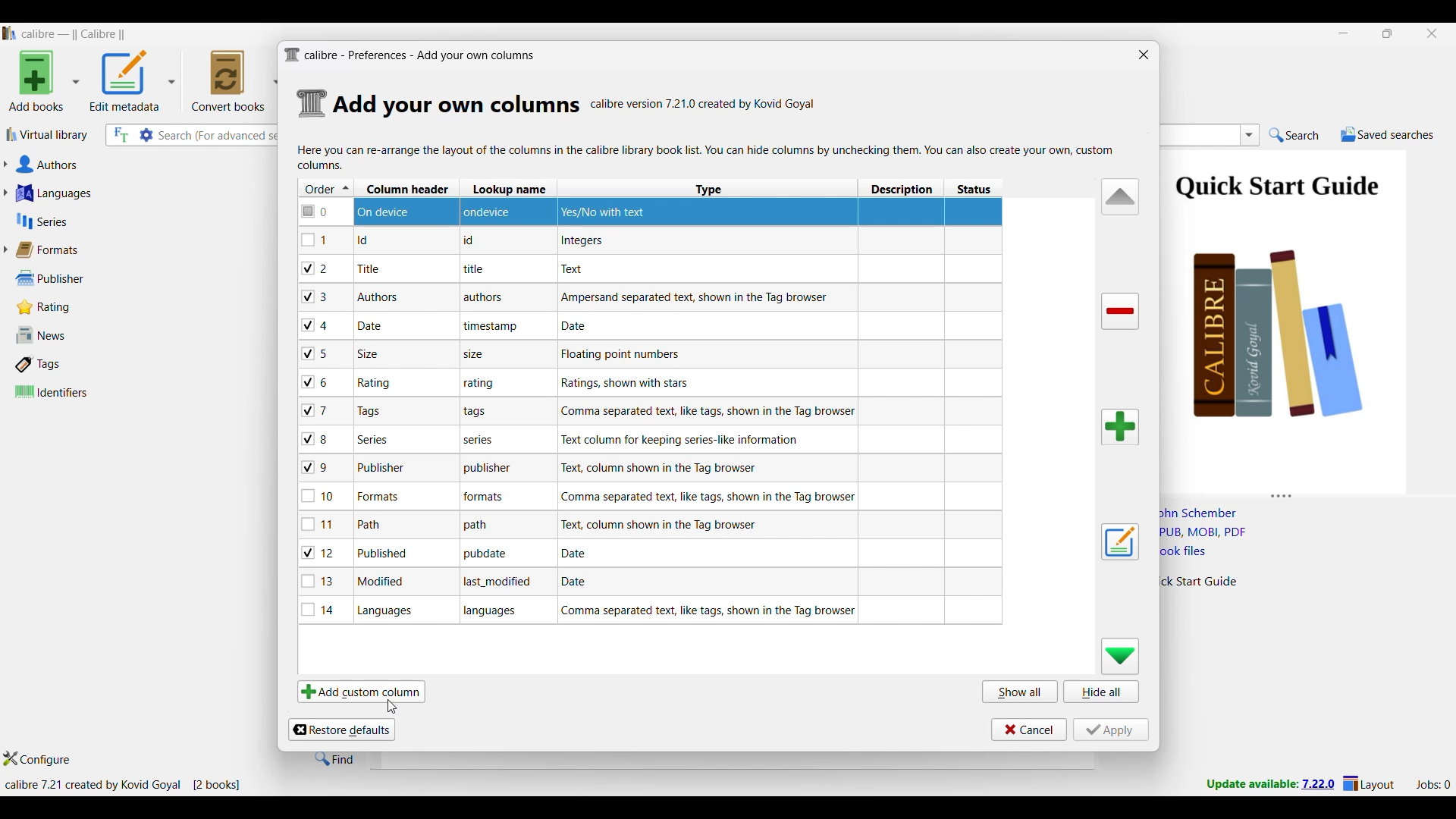  What do you see at coordinates (371, 354) in the screenshot?
I see `Note` at bounding box center [371, 354].